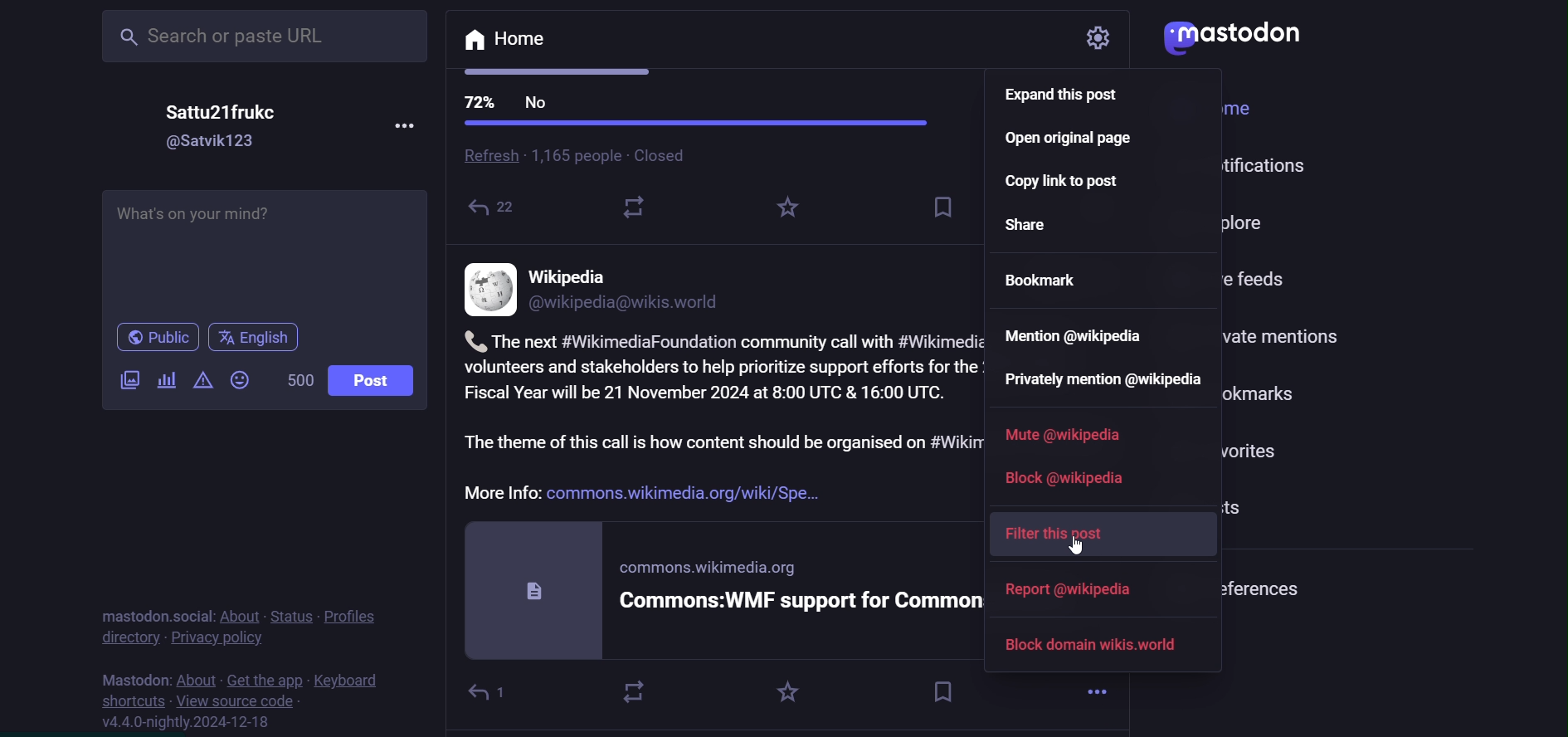  What do you see at coordinates (534, 589) in the screenshot?
I see `document logo` at bounding box center [534, 589].